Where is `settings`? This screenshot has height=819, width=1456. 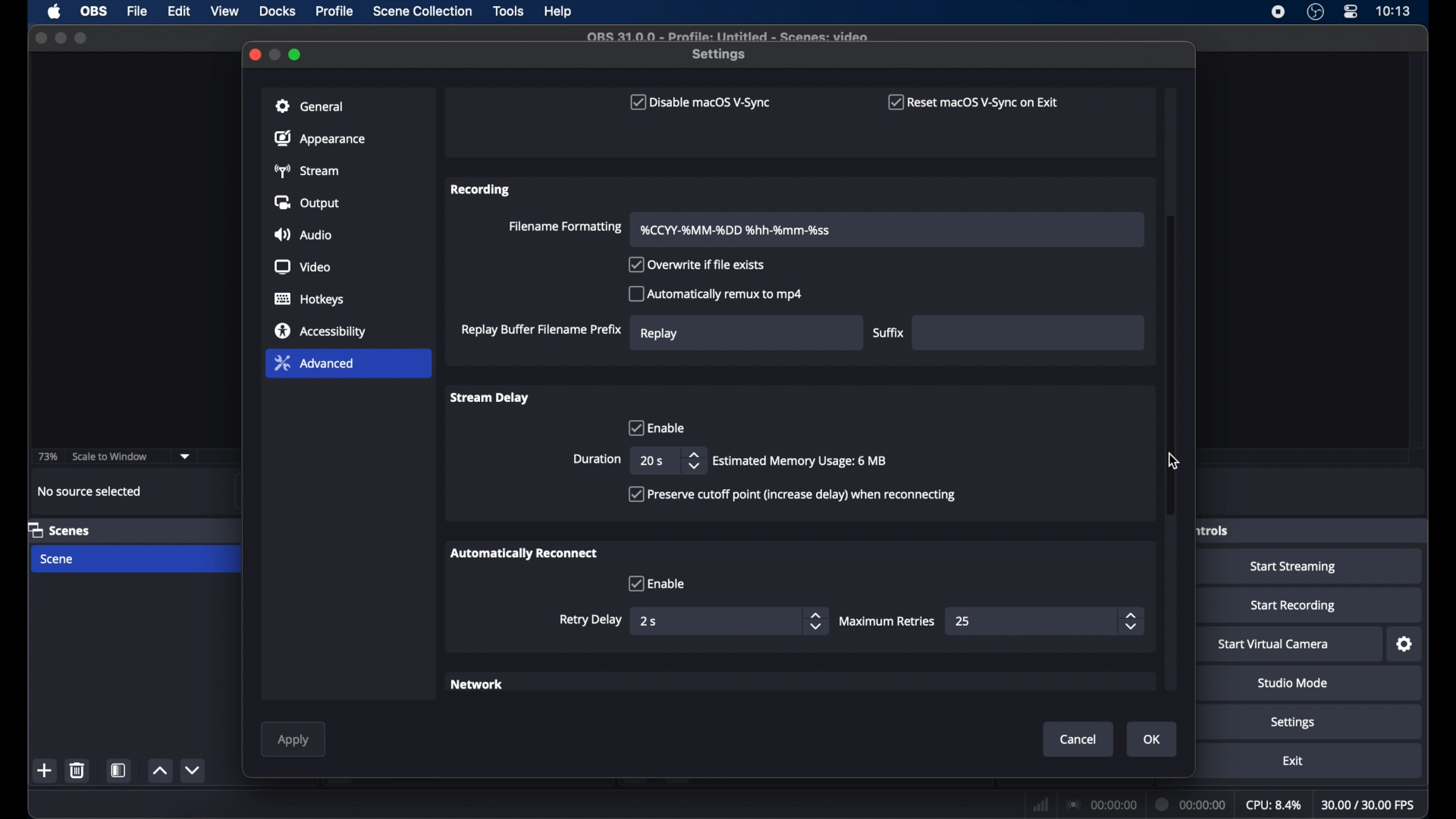
settings is located at coordinates (720, 55).